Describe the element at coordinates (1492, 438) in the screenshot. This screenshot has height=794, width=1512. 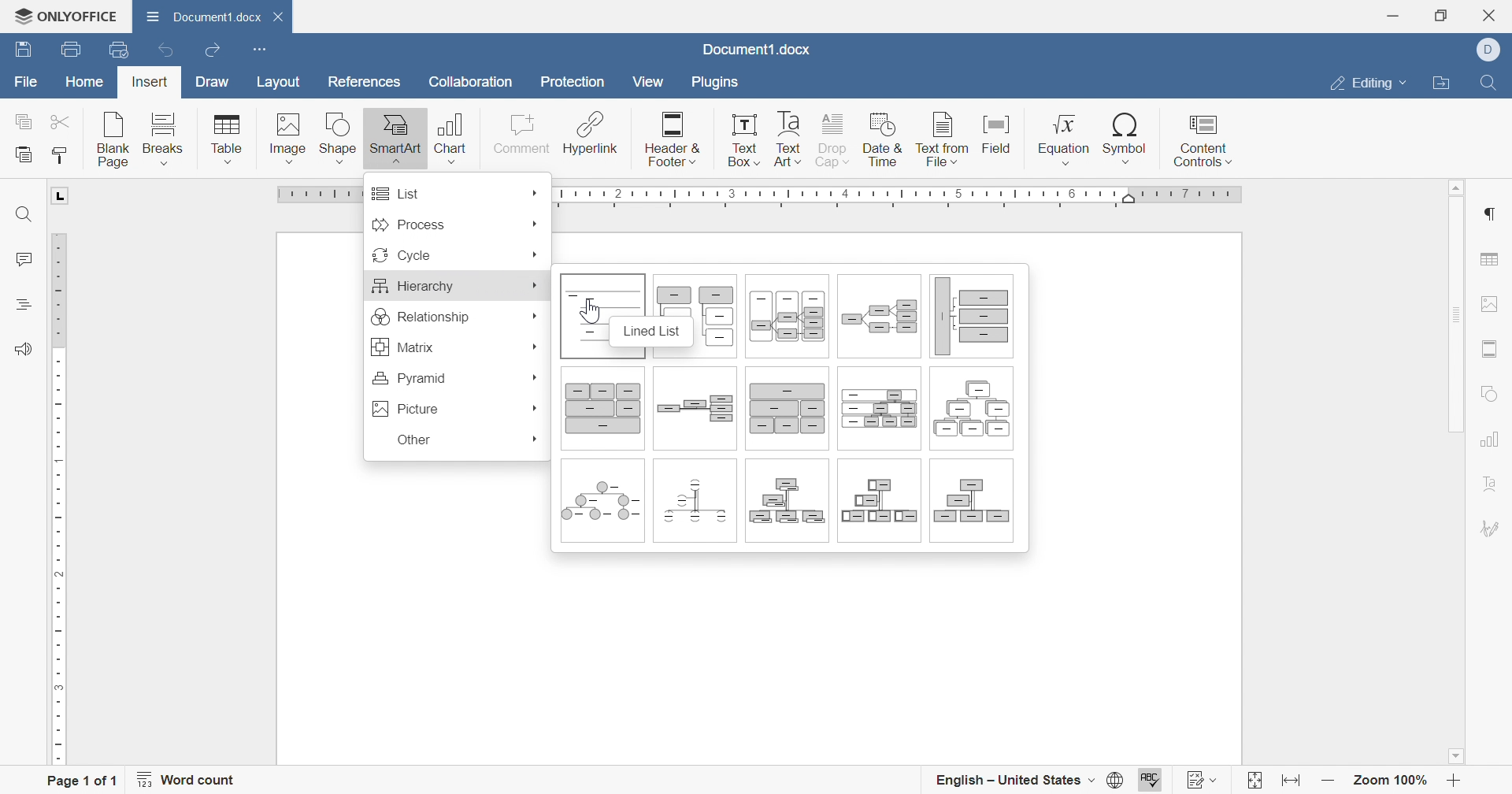
I see `Chart settings` at that location.